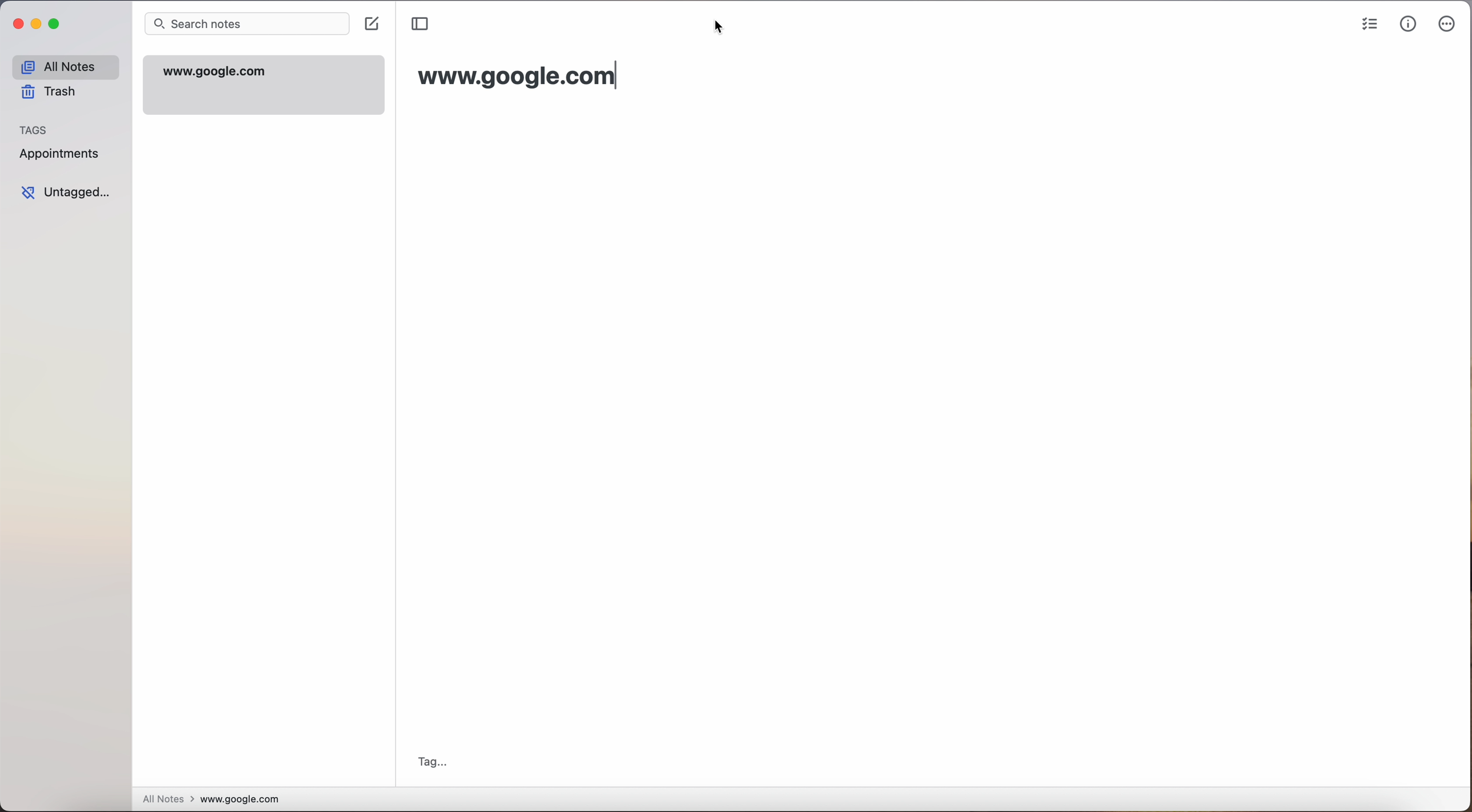  I want to click on metrics, so click(1410, 24).